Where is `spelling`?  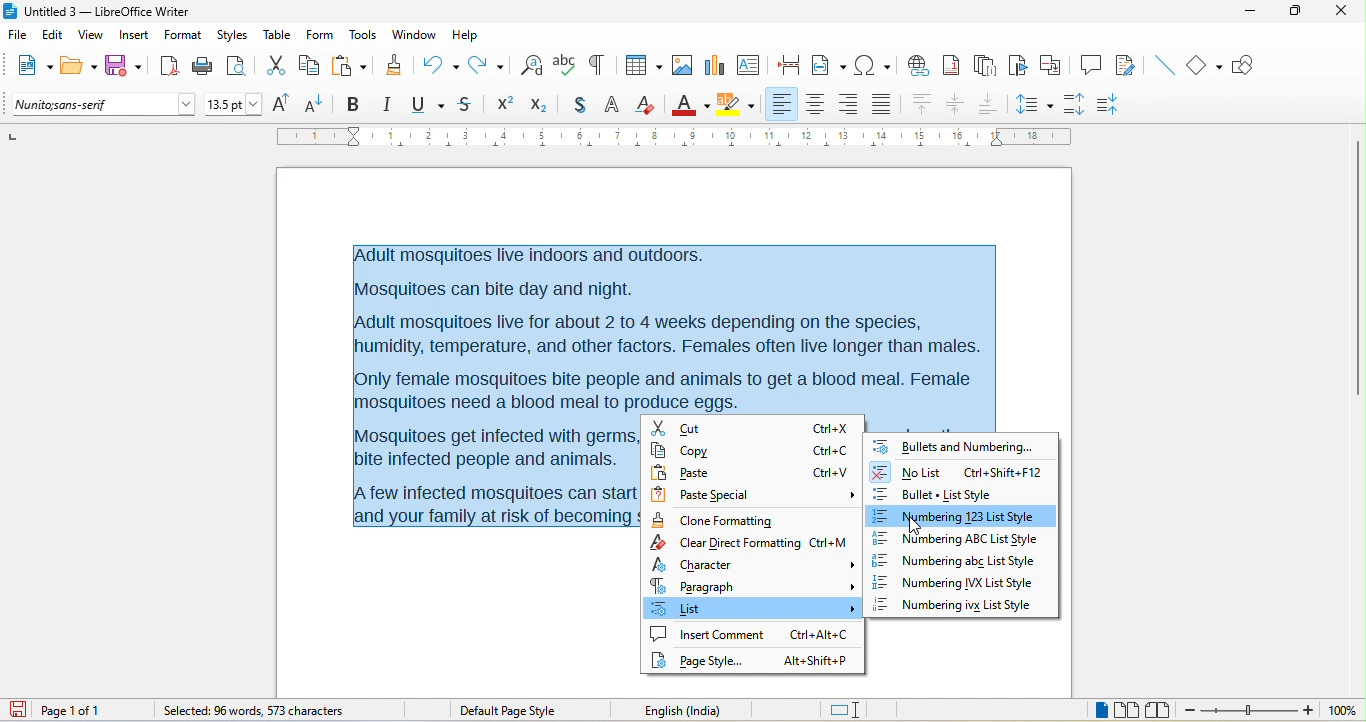 spelling is located at coordinates (565, 67).